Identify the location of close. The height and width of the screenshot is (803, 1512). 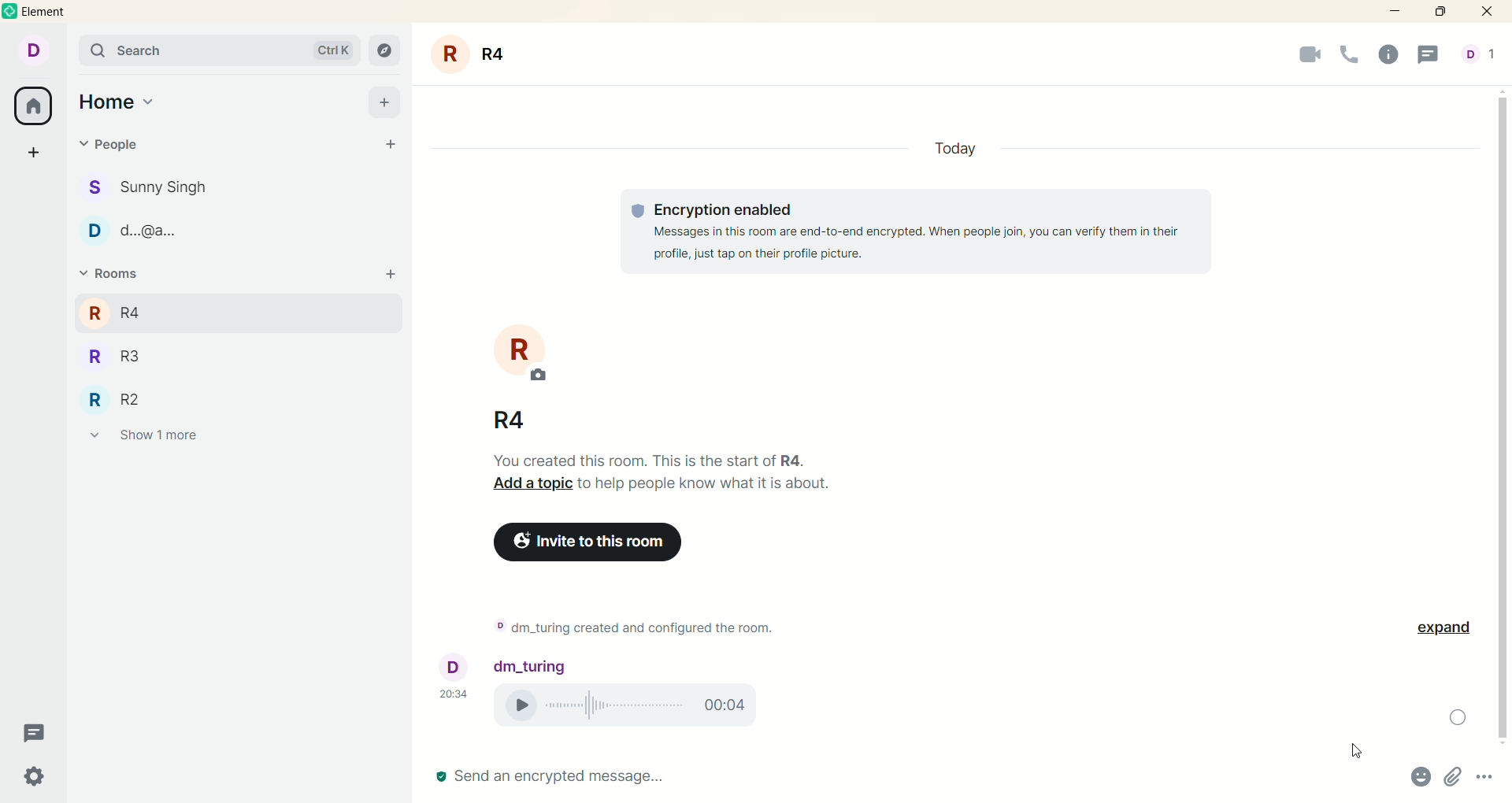
(1490, 12).